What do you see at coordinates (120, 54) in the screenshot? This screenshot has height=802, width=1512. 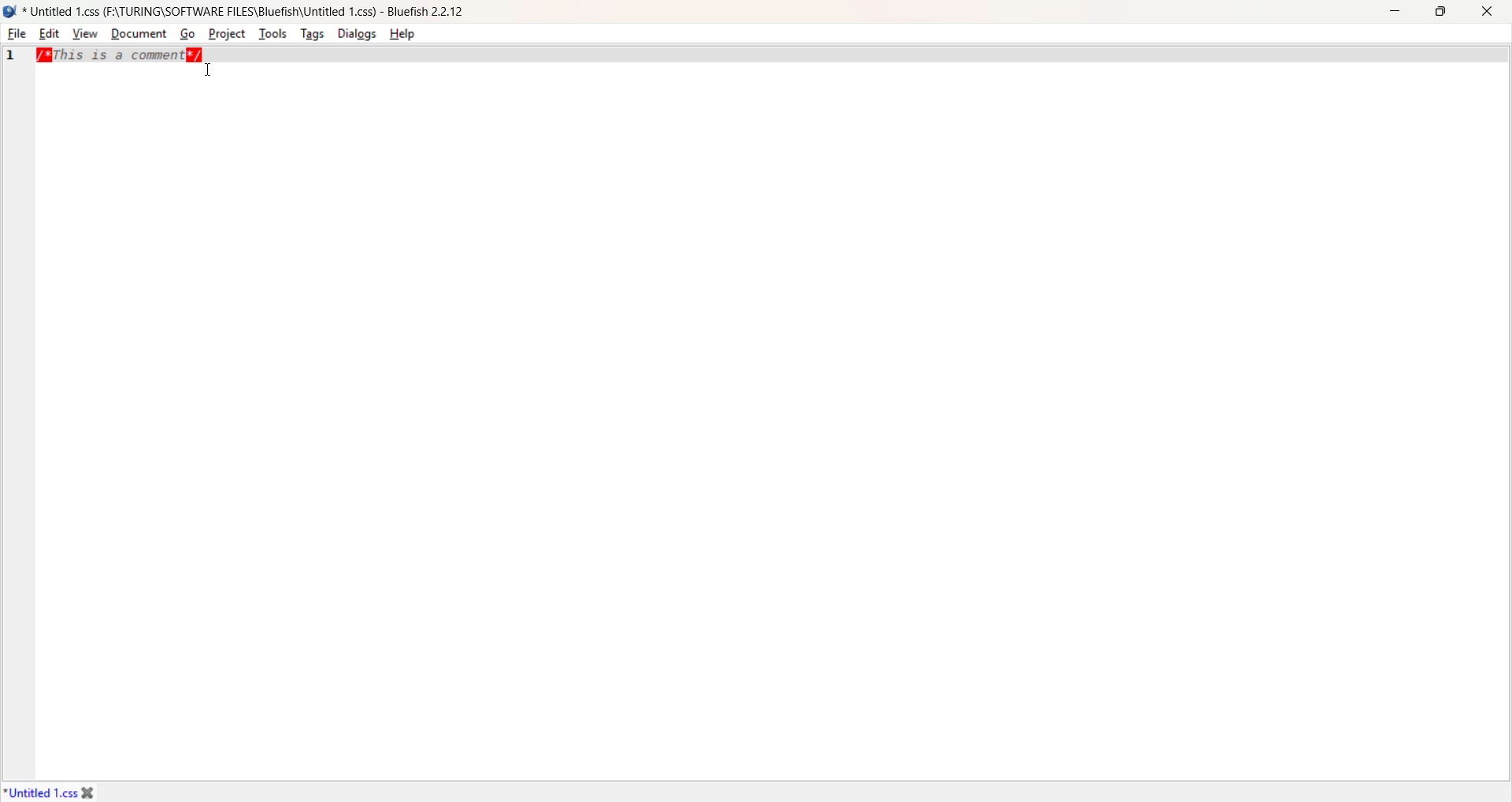 I see `/*This is a comment*/` at bounding box center [120, 54].